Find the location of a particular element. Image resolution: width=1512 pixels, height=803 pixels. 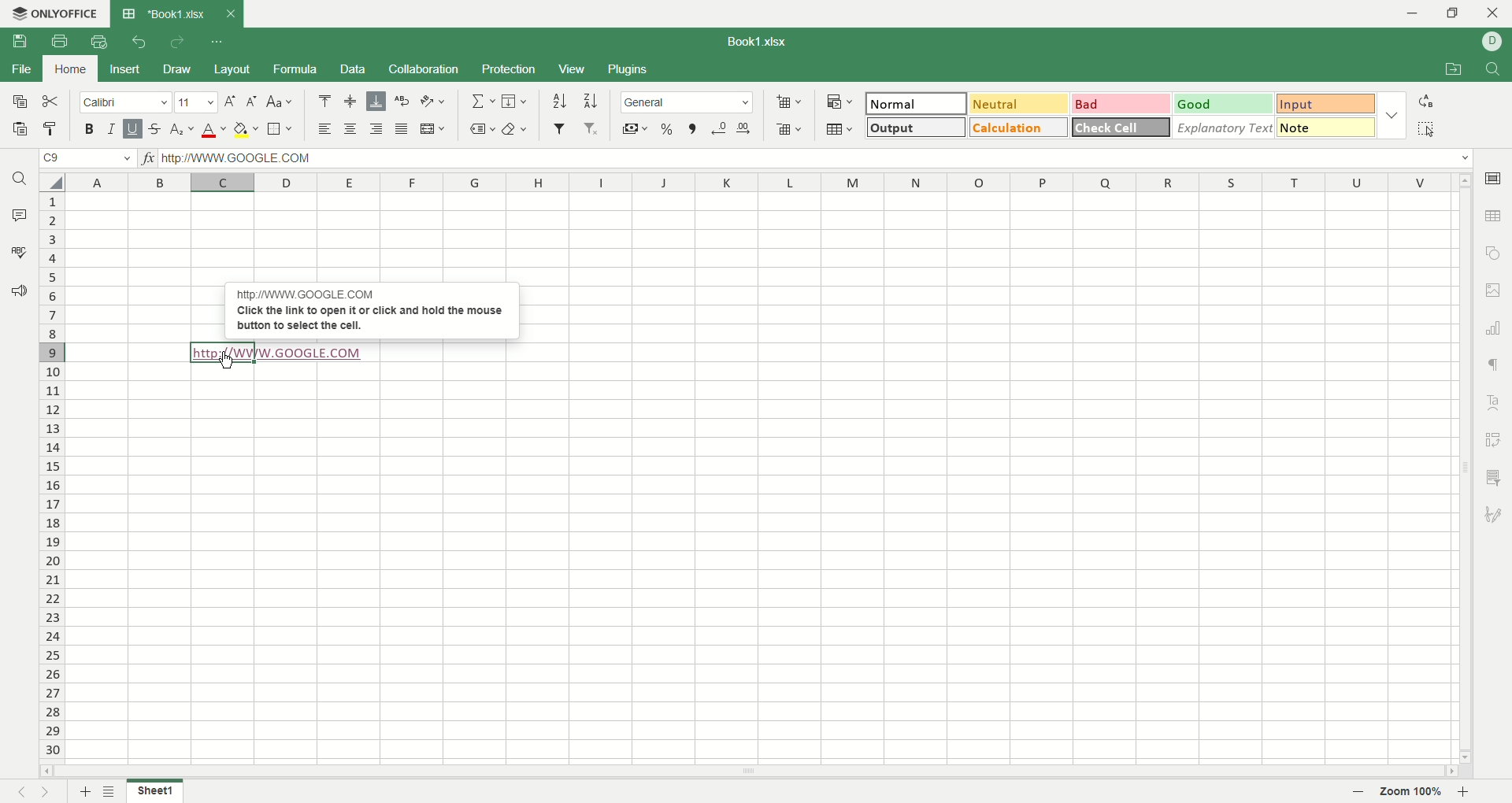

row number is located at coordinates (51, 475).